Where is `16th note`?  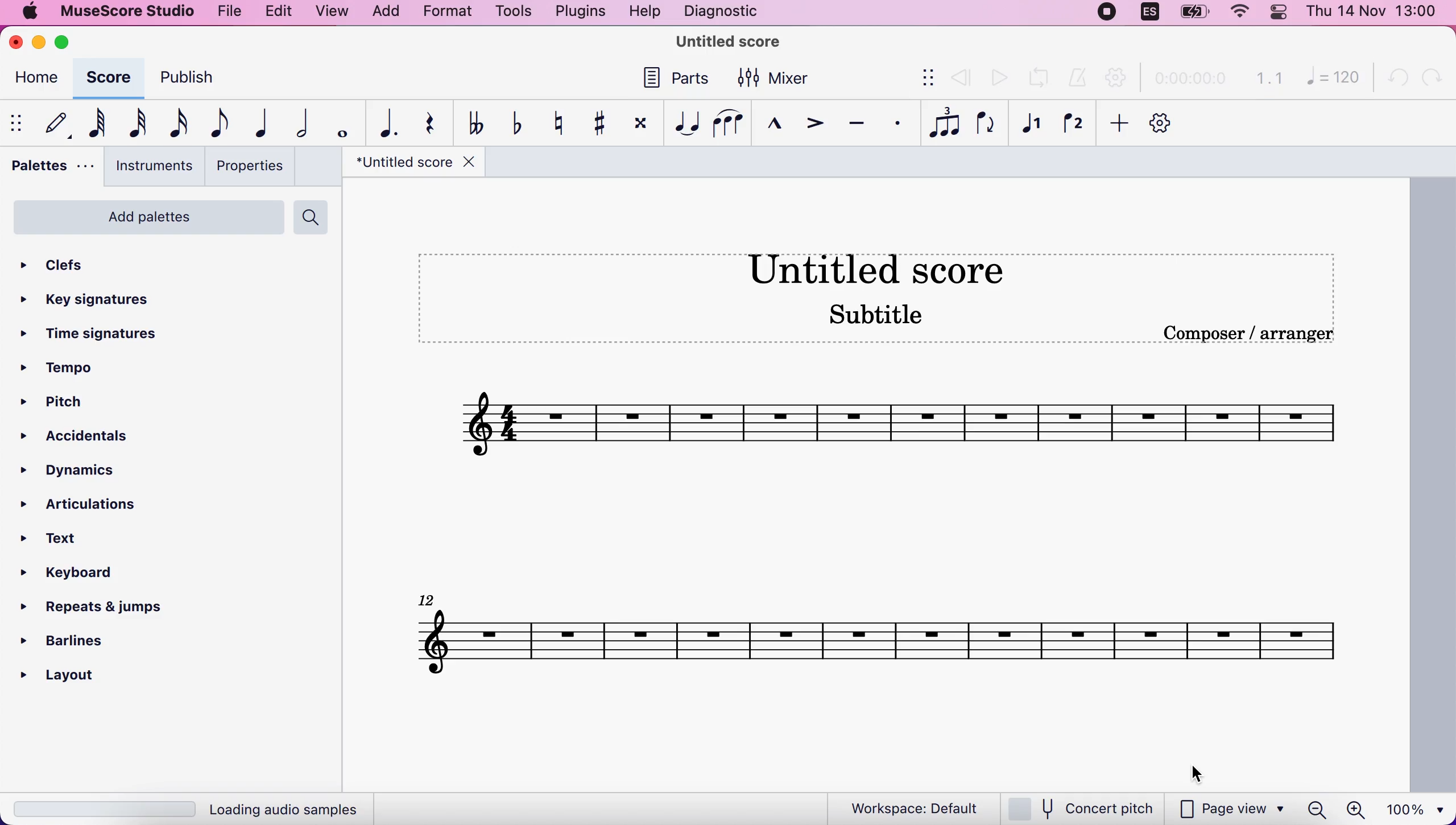 16th note is located at coordinates (179, 123).